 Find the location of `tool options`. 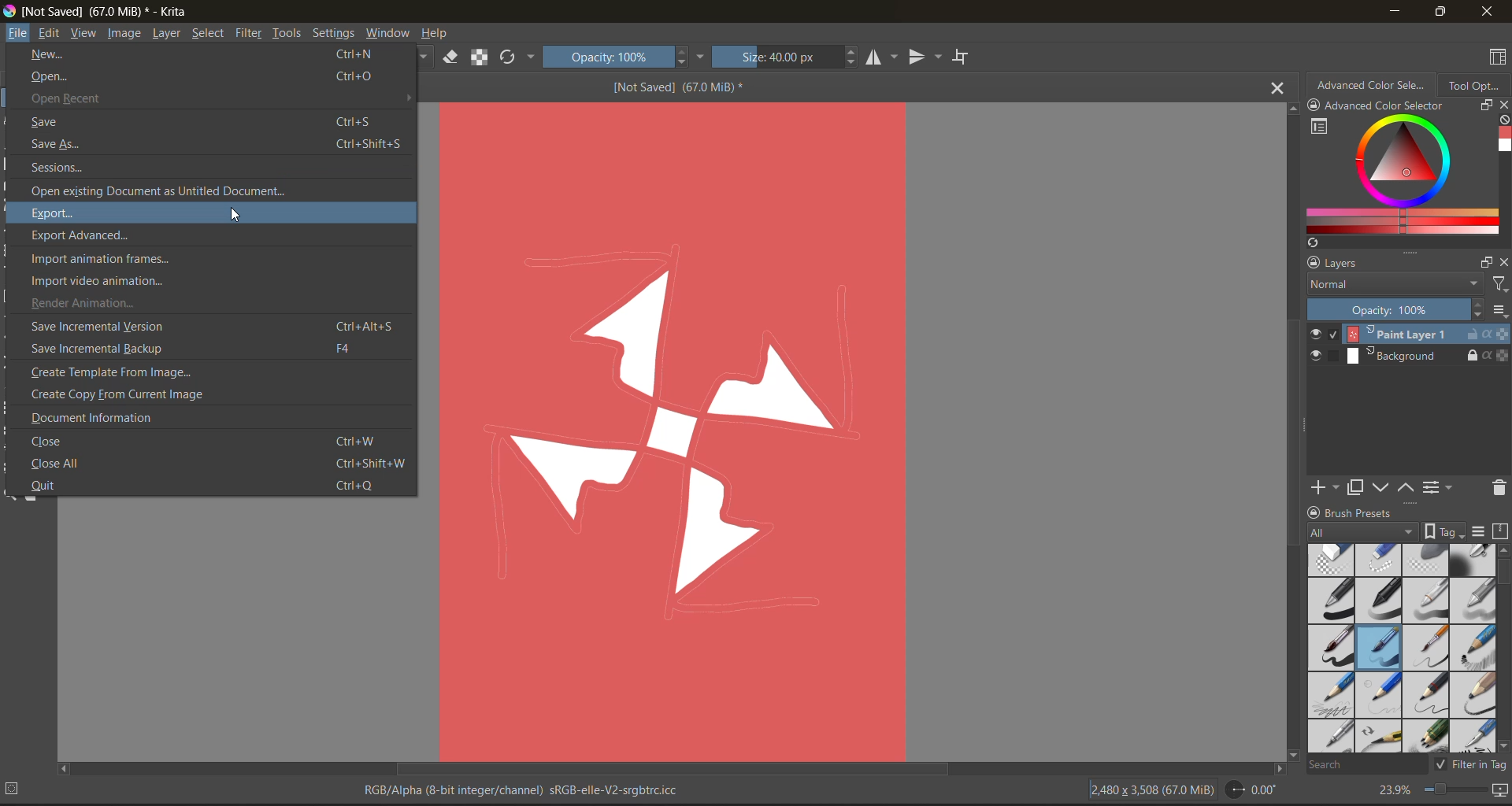

tool options is located at coordinates (1476, 88).